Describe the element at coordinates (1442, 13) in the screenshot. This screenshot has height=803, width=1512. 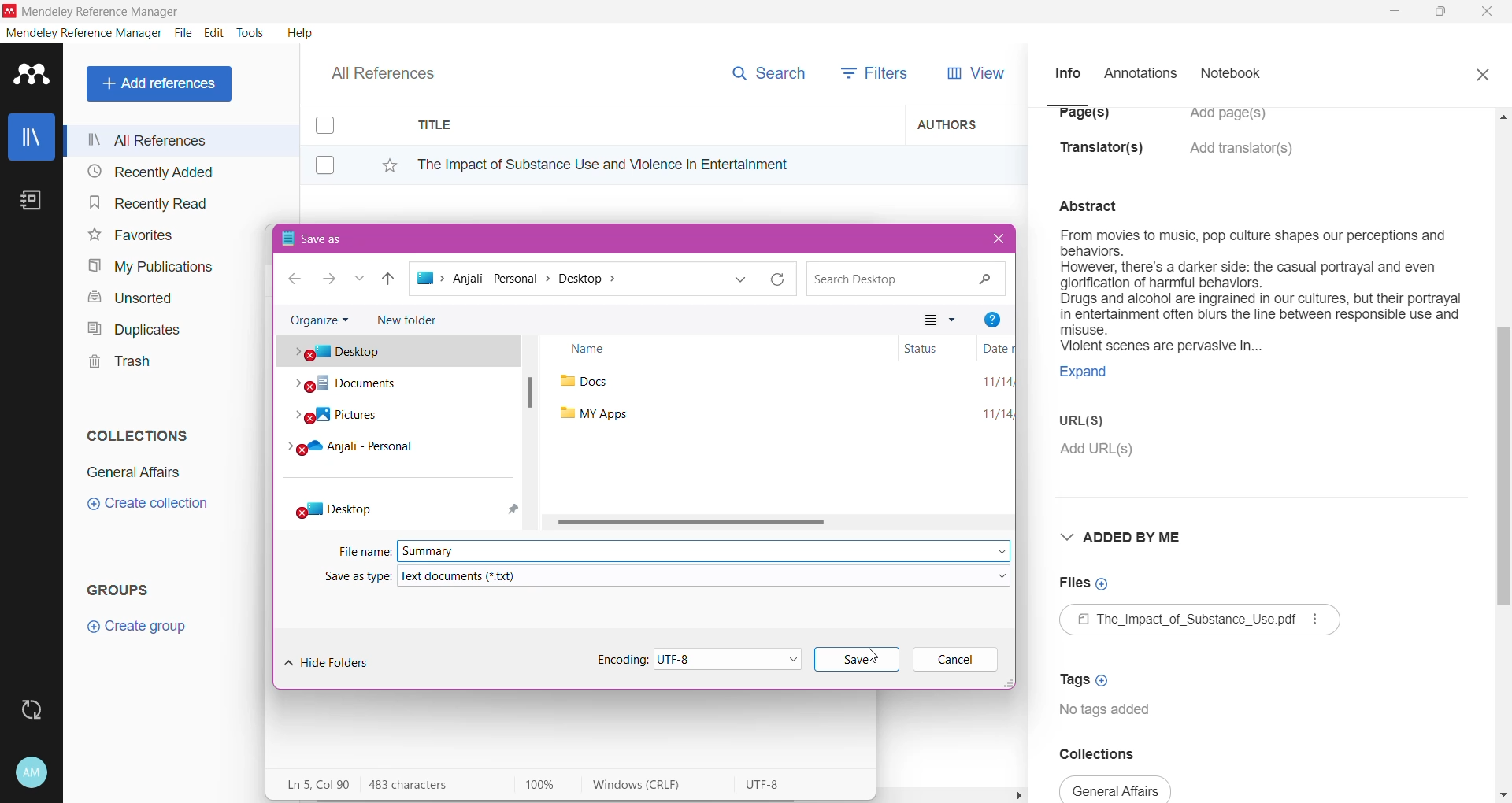
I see `Restore Down` at that location.